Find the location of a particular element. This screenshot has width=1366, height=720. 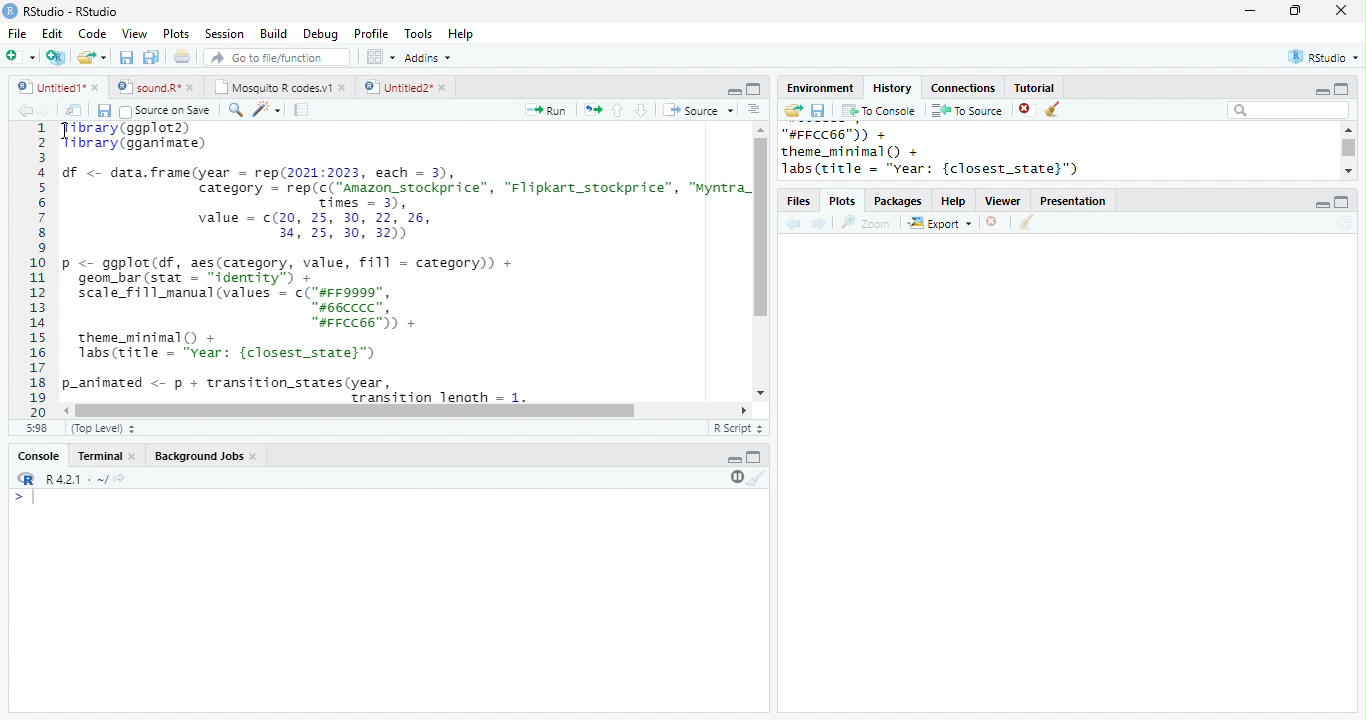

RStudio-RStudio is located at coordinates (71, 11).